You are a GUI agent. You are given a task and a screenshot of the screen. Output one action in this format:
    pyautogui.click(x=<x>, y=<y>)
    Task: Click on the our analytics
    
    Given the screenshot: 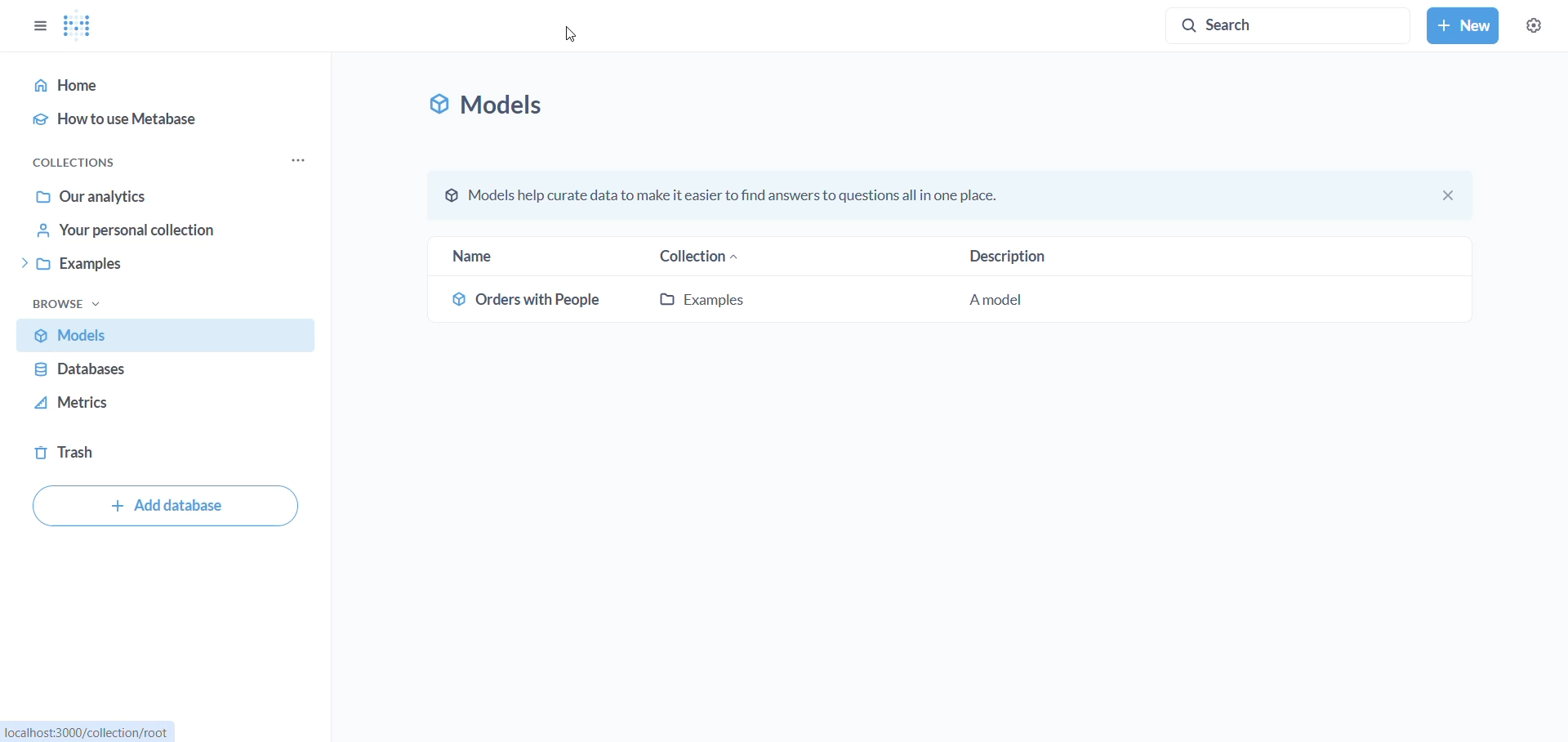 What is the action you would take?
    pyautogui.click(x=153, y=199)
    